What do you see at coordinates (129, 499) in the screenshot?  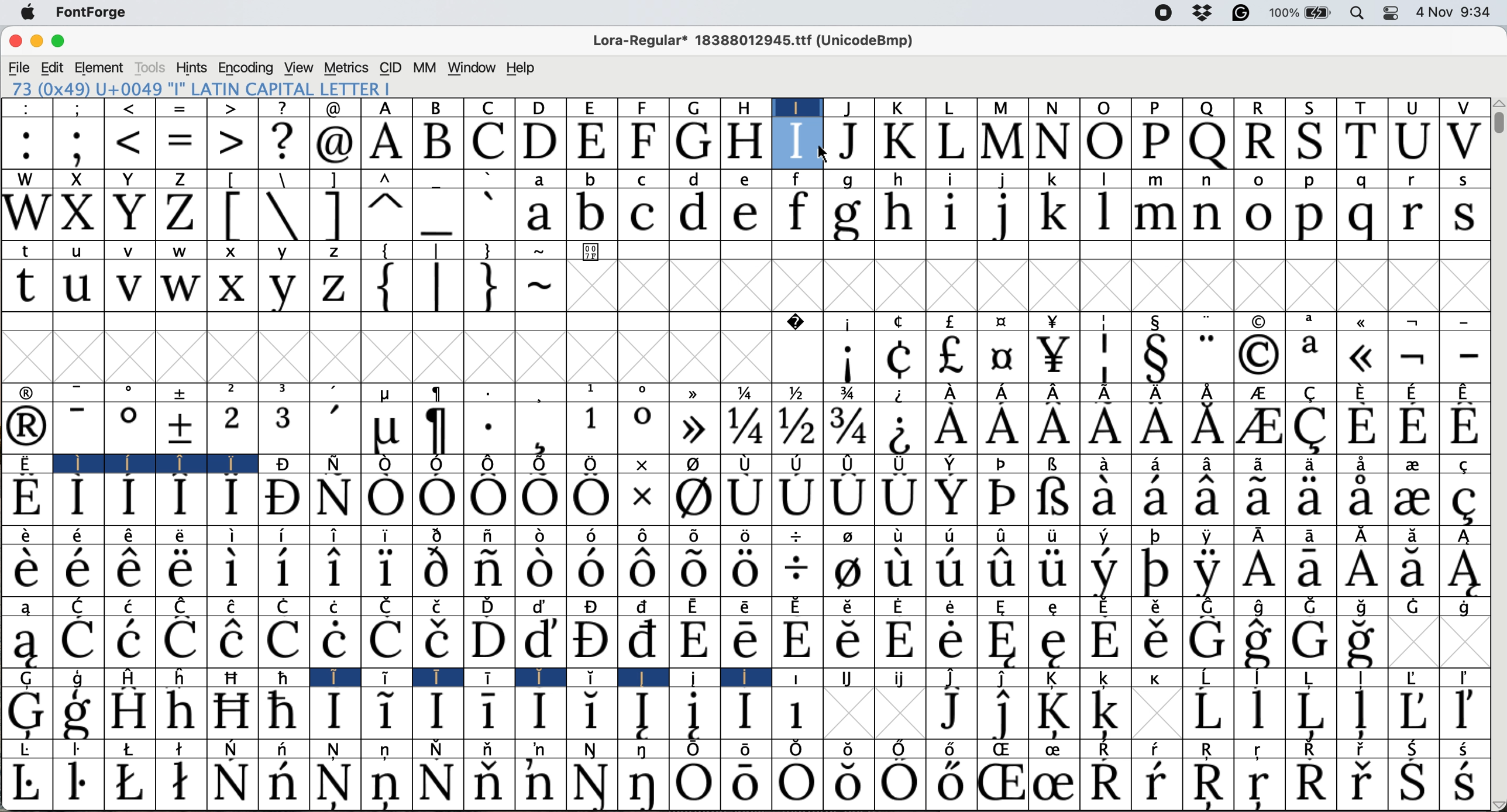 I see `Symbol` at bounding box center [129, 499].